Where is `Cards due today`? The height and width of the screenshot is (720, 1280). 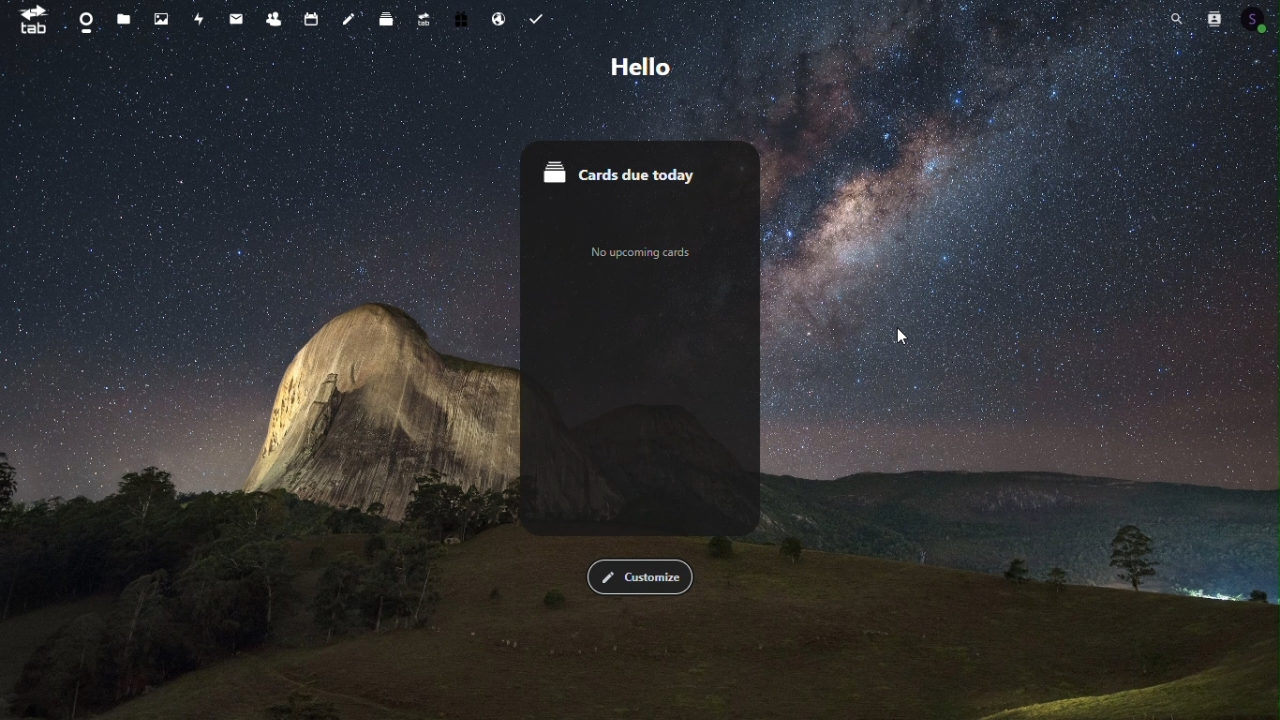 Cards due today is located at coordinates (642, 171).